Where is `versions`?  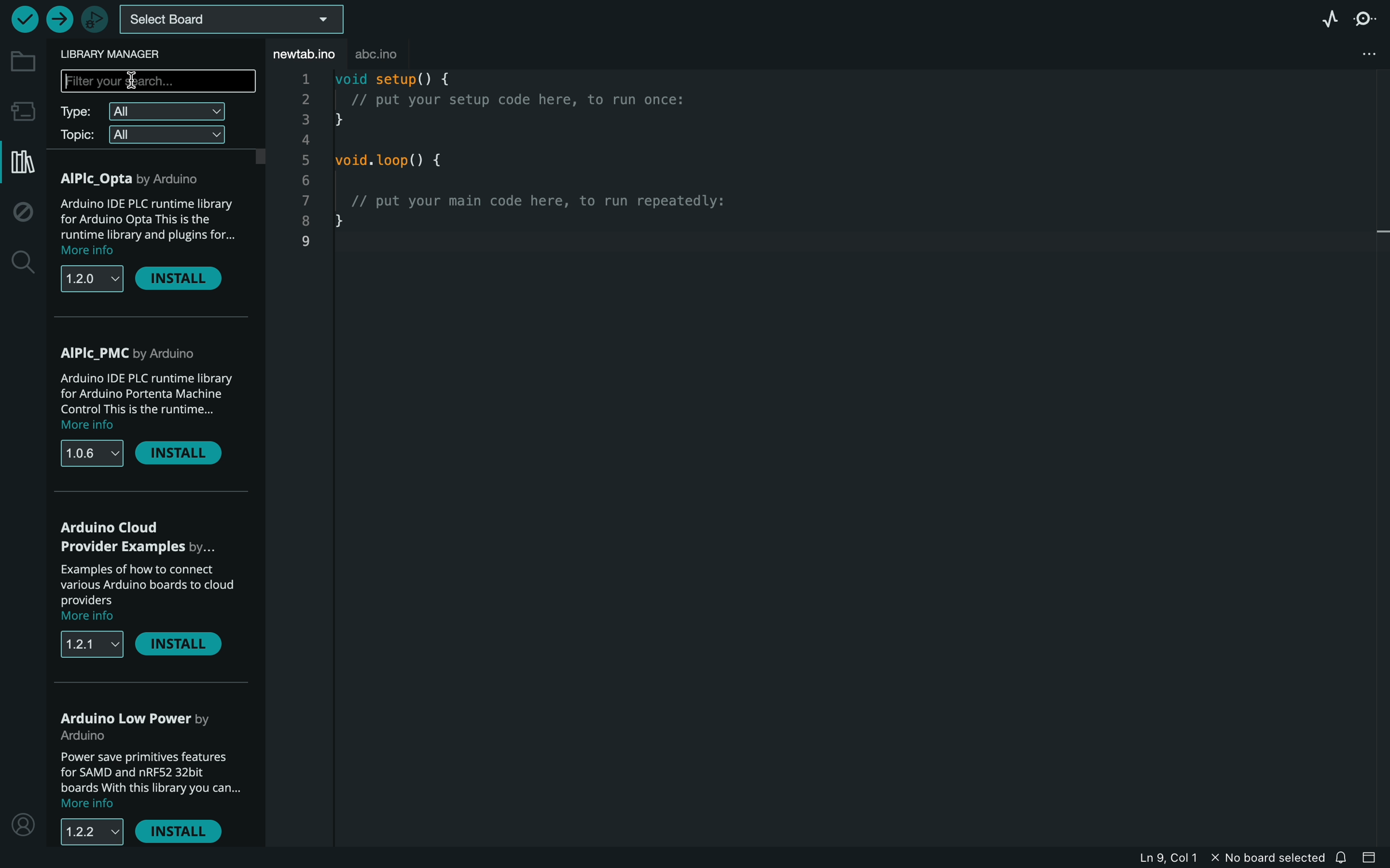 versions is located at coordinates (93, 832).